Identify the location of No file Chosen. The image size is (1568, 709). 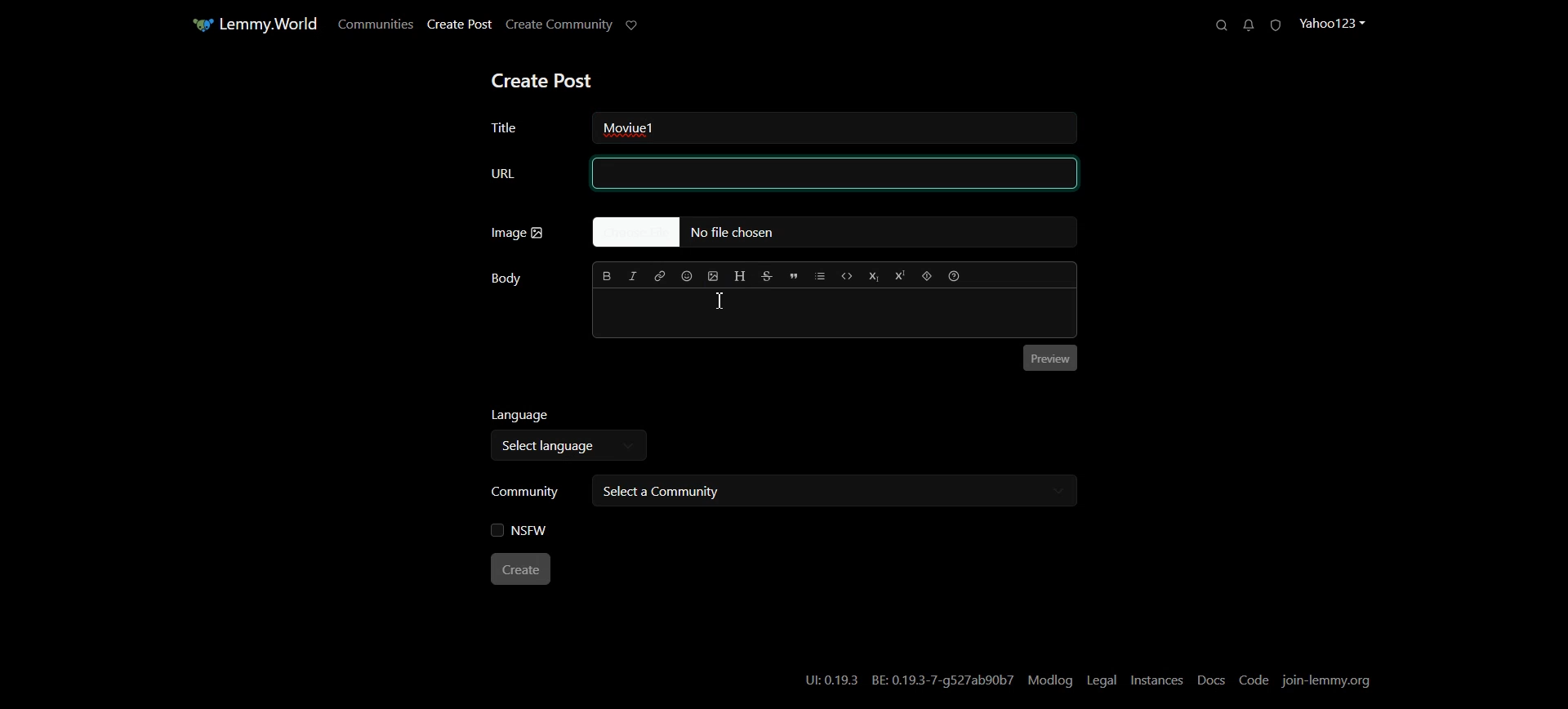
(833, 233).